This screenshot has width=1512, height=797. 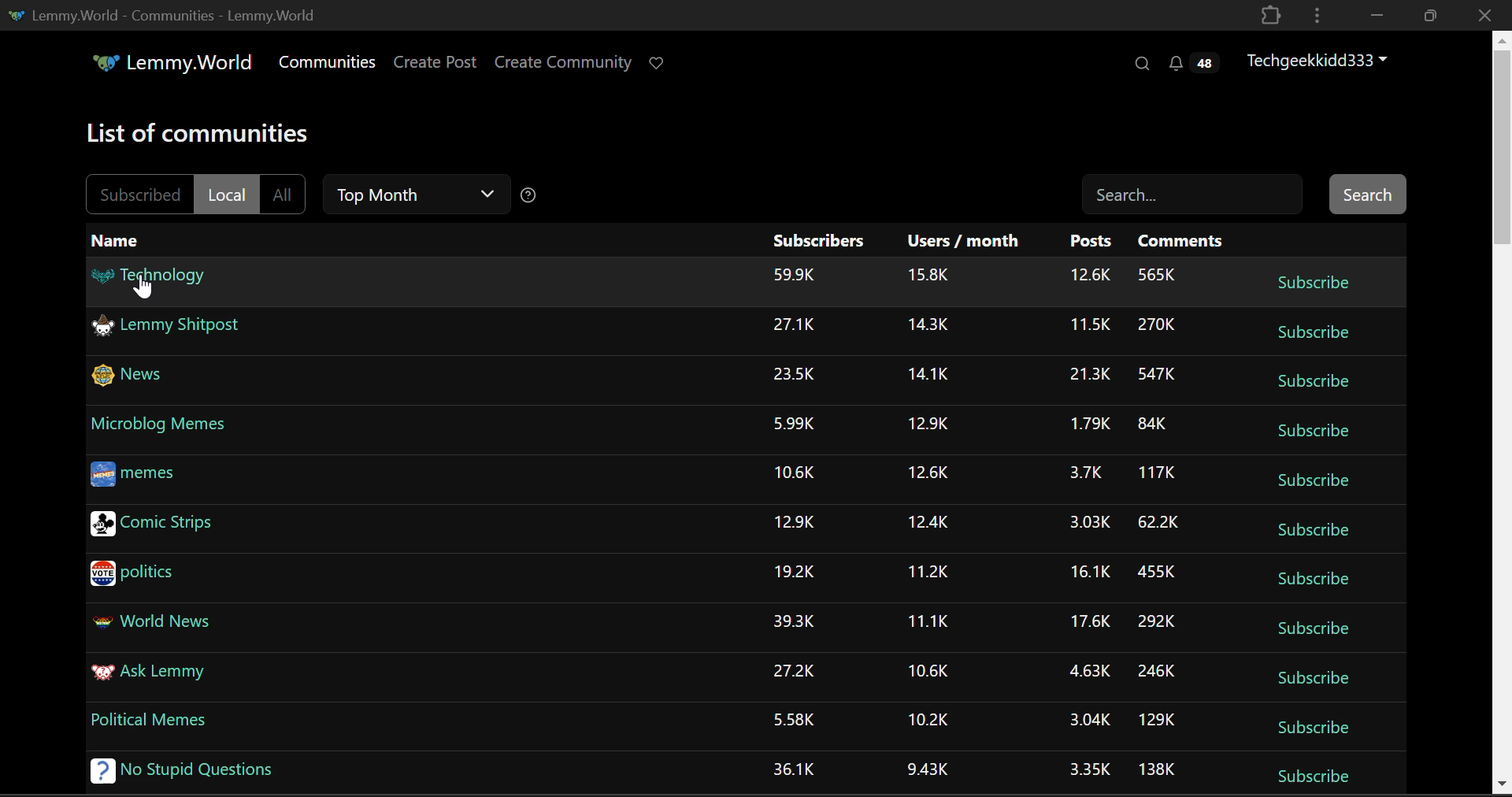 I want to click on Amount, so click(x=1152, y=424).